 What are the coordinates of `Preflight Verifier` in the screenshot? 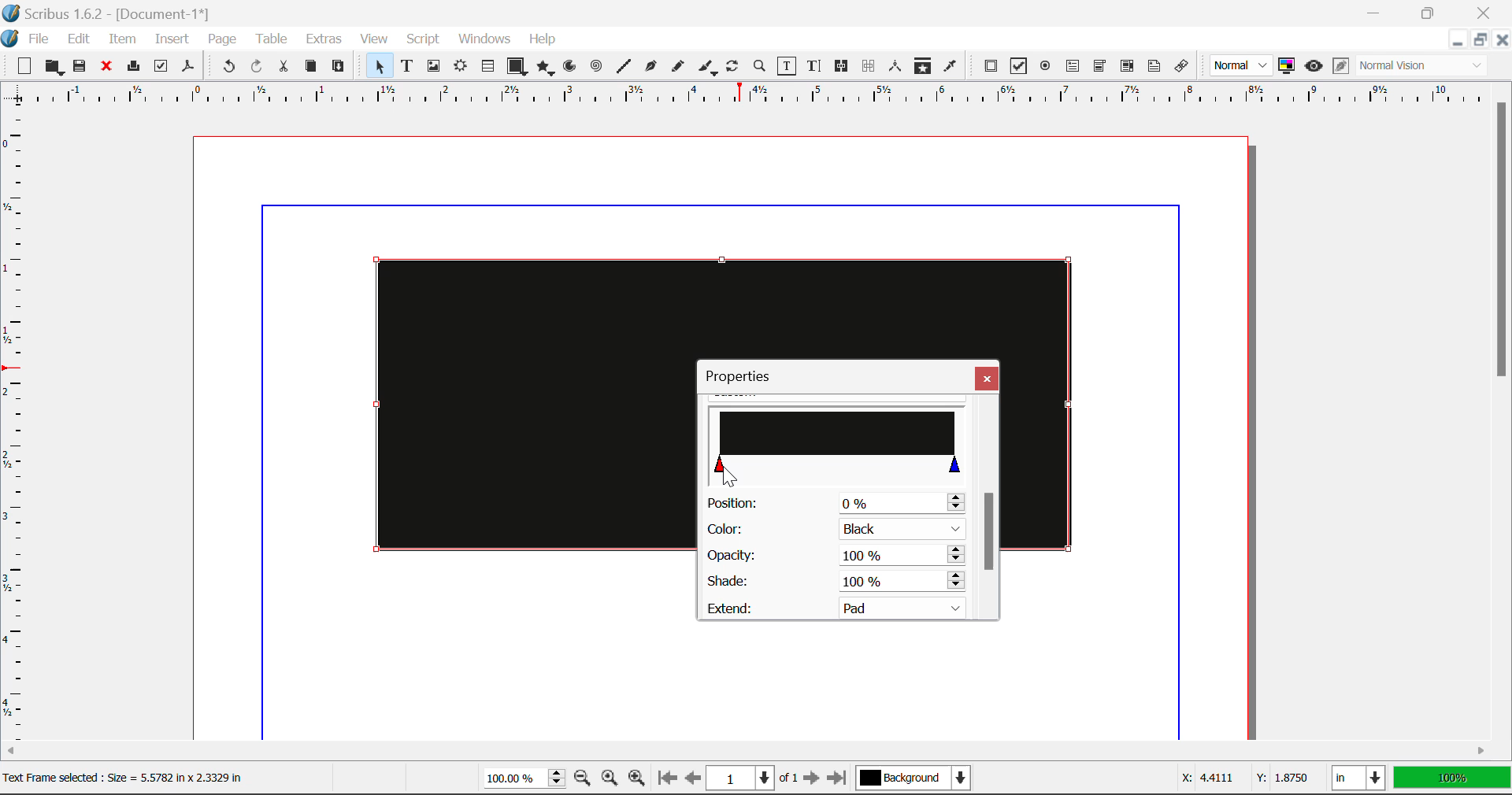 It's located at (161, 68).